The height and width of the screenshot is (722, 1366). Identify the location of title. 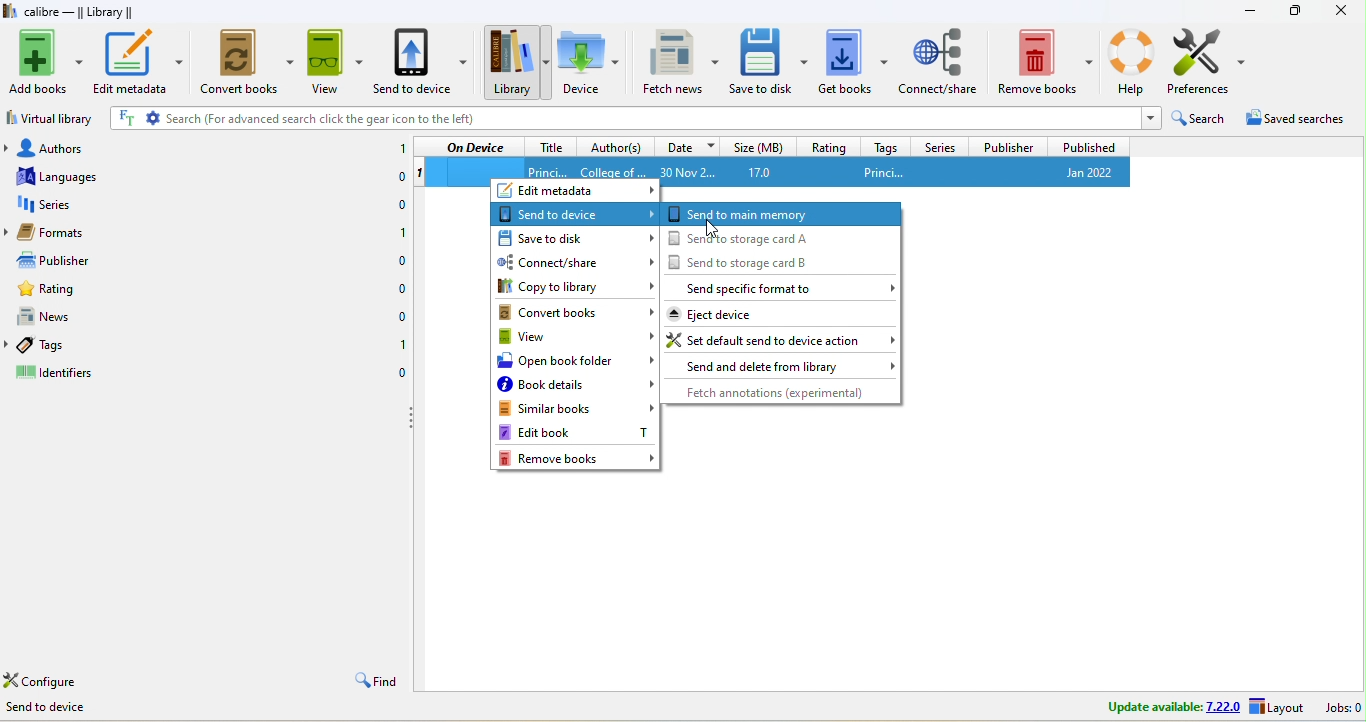
(547, 168).